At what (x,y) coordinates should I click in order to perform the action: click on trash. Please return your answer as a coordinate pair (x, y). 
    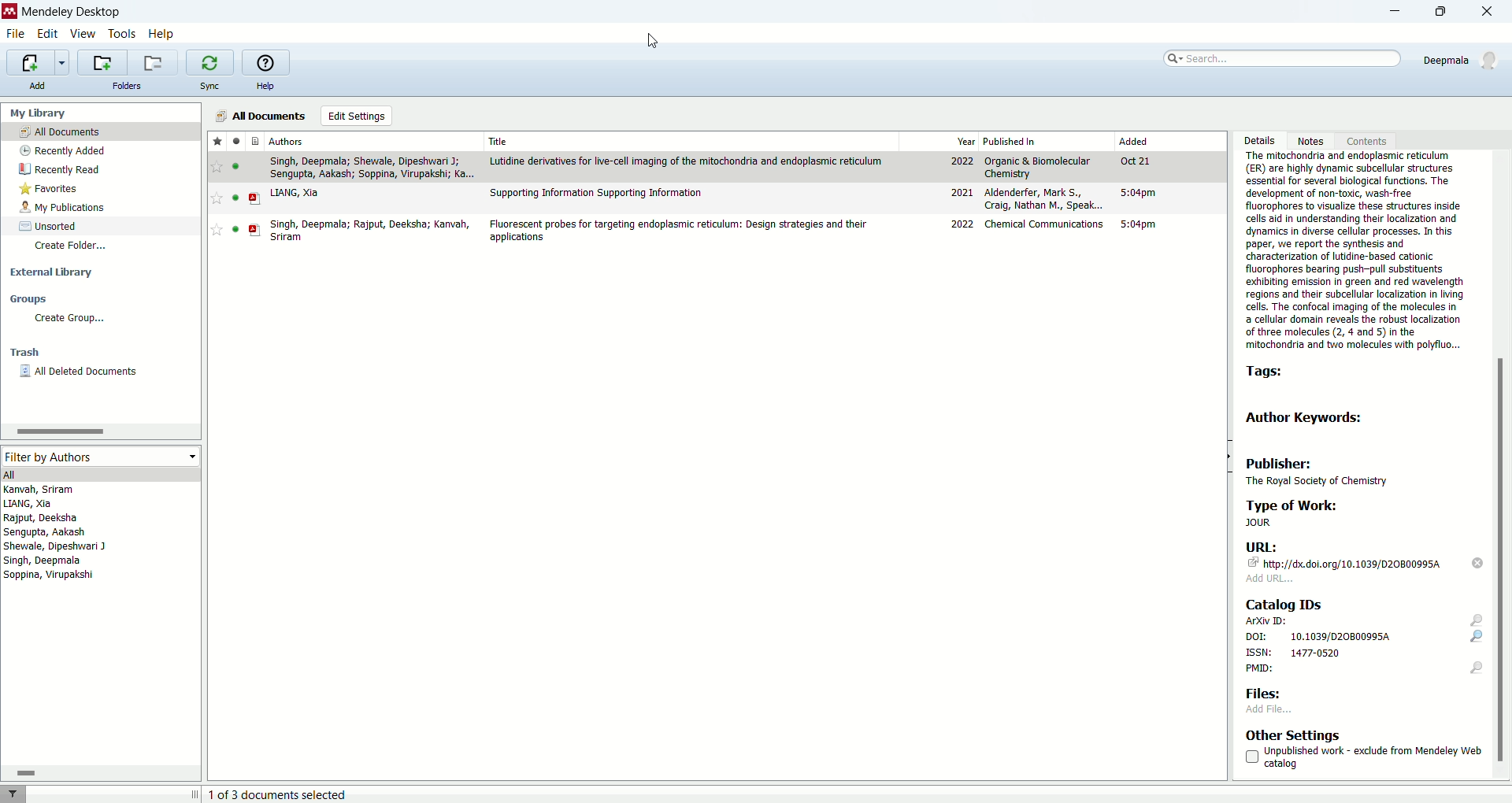
    Looking at the image, I should click on (25, 353).